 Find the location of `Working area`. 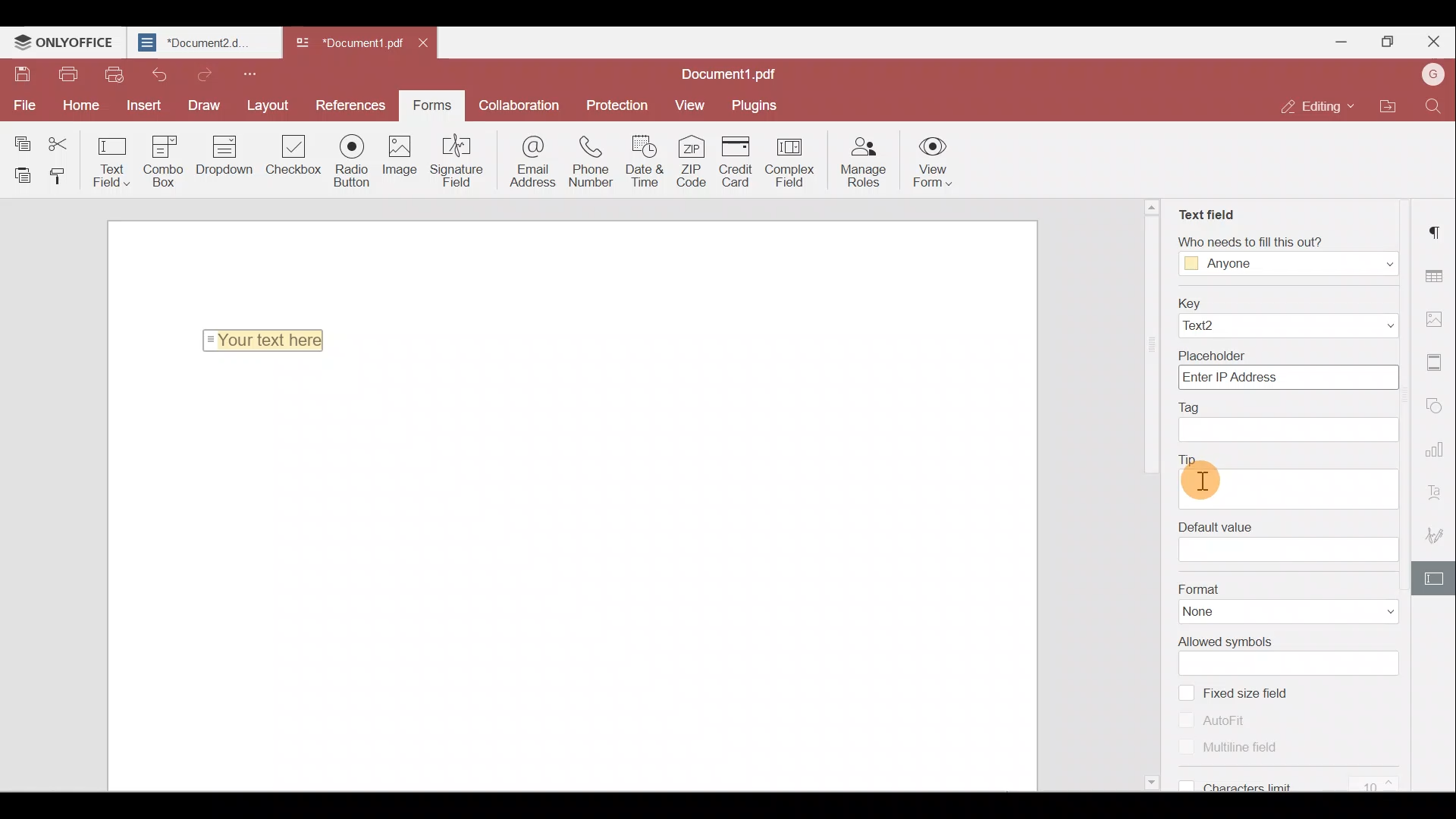

Working area is located at coordinates (570, 577).